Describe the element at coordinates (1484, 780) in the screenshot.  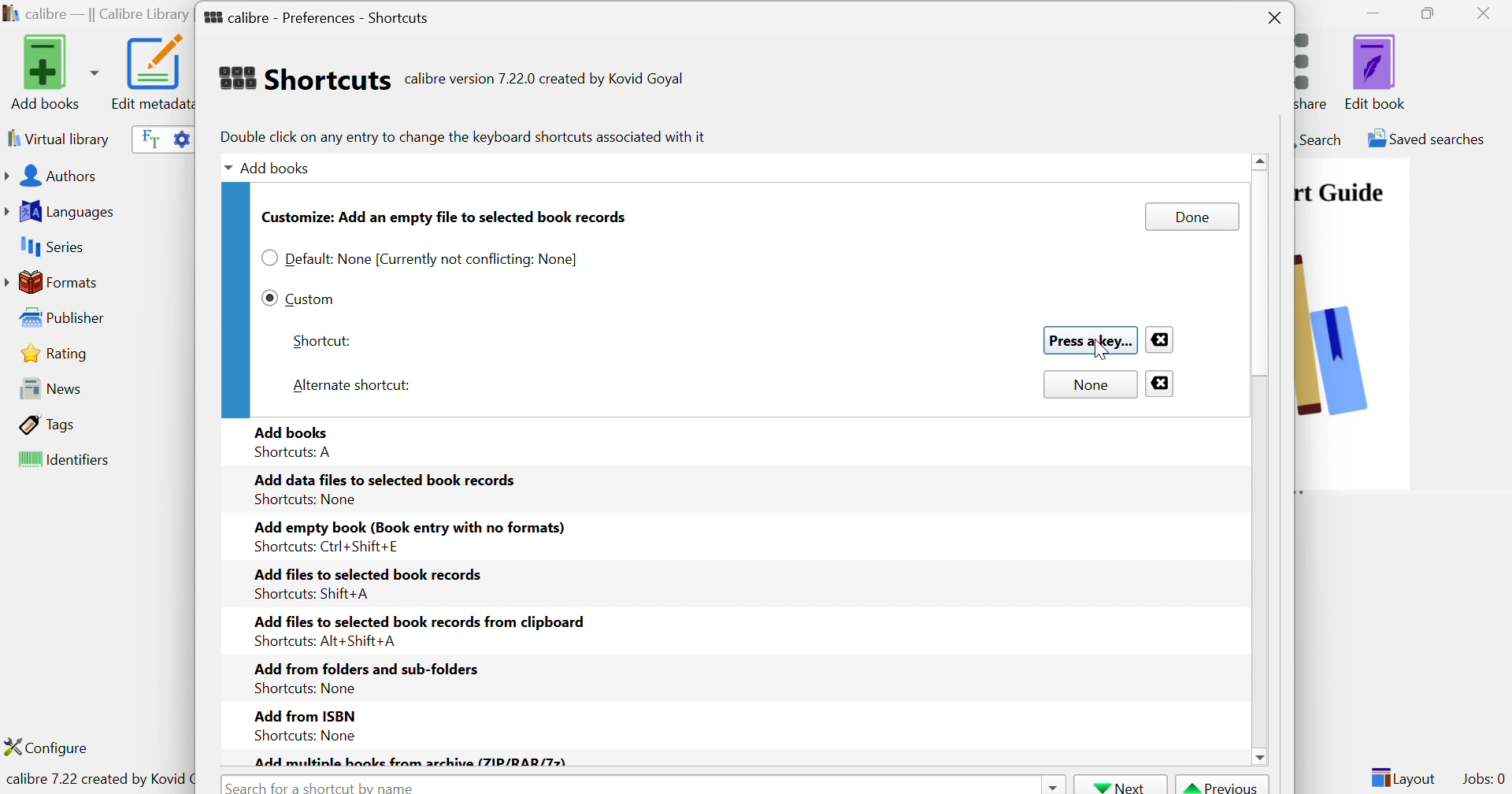
I see `Jobs: 0` at that location.